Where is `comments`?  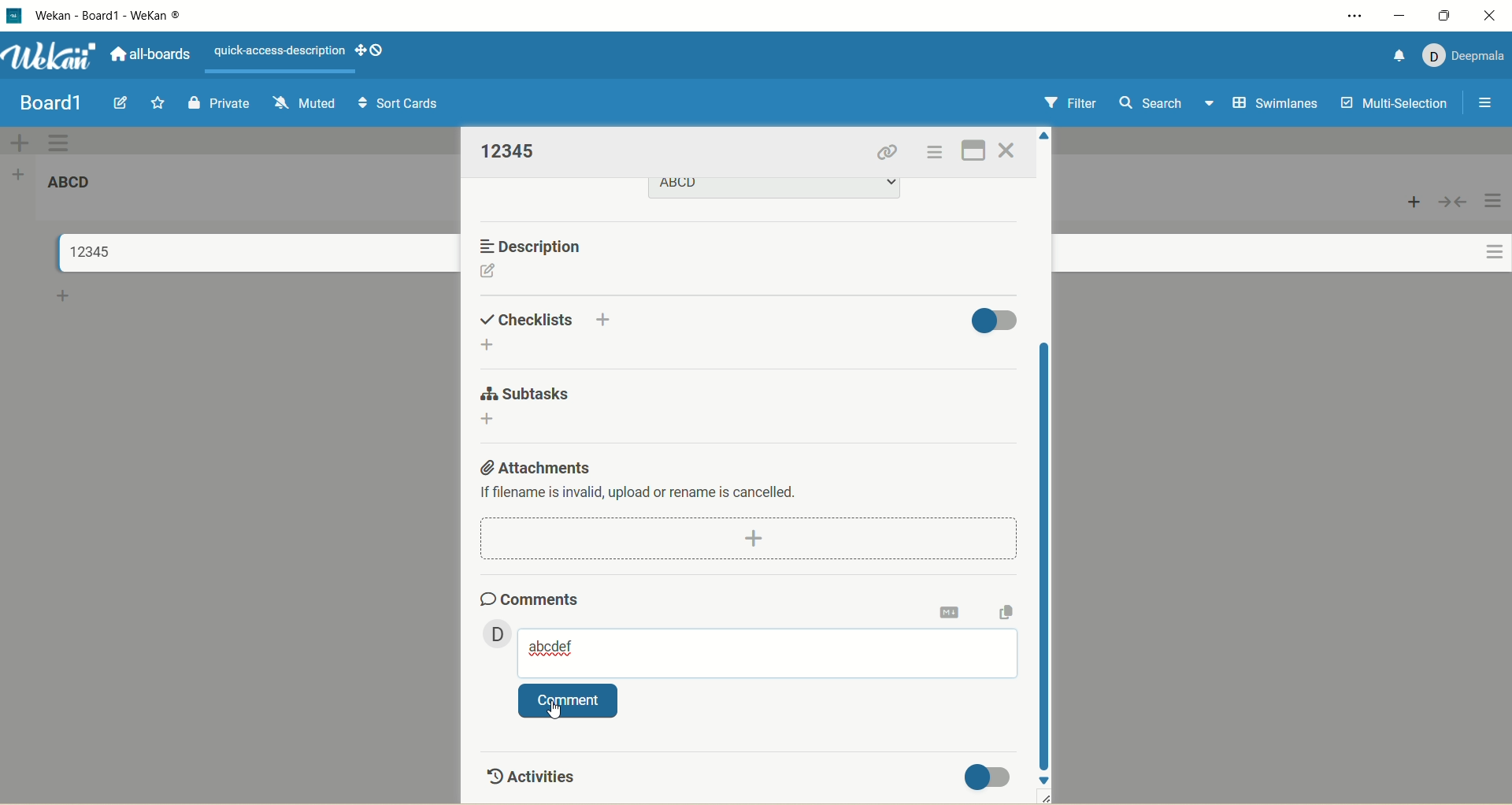
comments is located at coordinates (528, 596).